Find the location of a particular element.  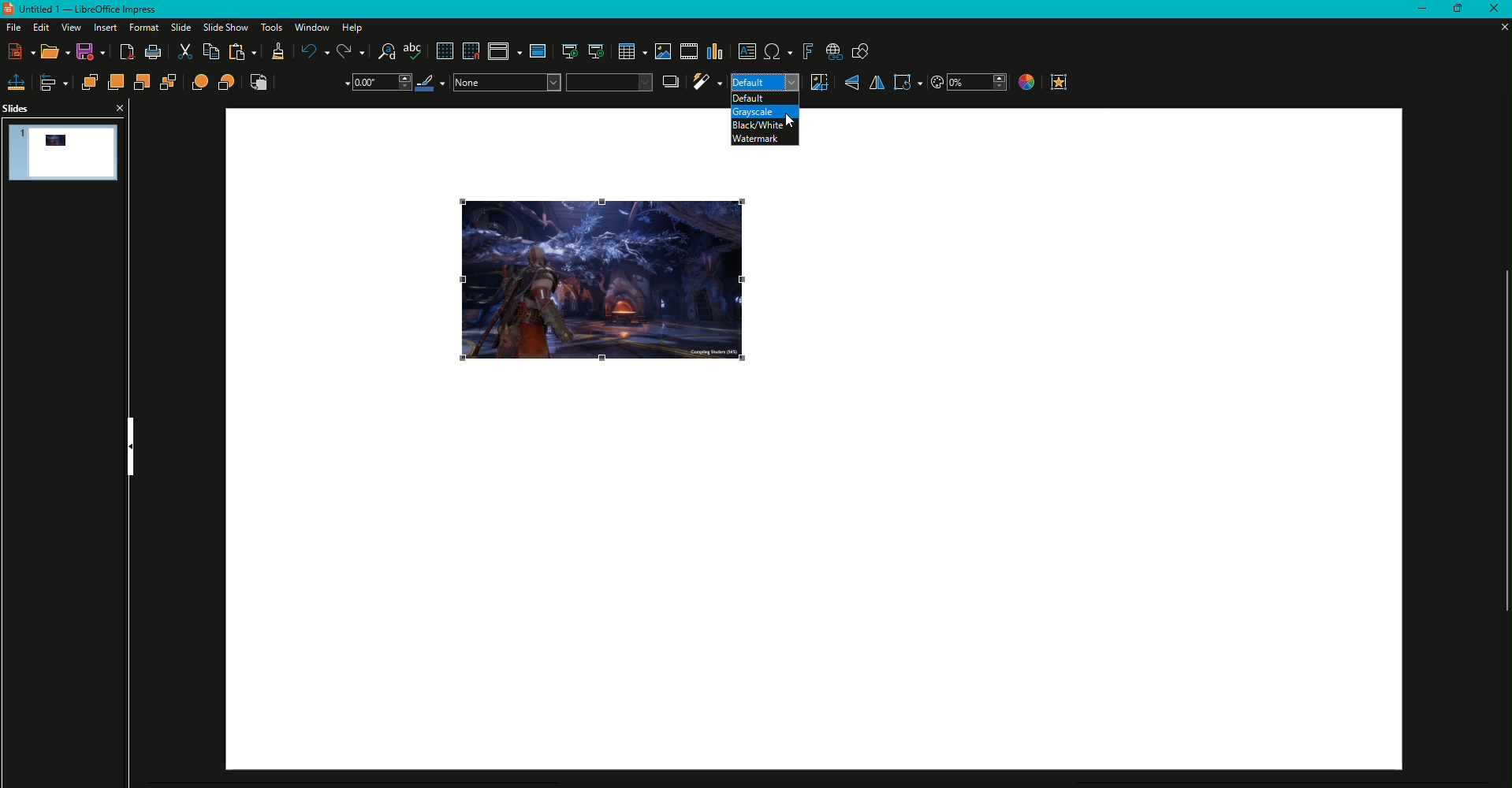

Transparency is located at coordinates (969, 83).